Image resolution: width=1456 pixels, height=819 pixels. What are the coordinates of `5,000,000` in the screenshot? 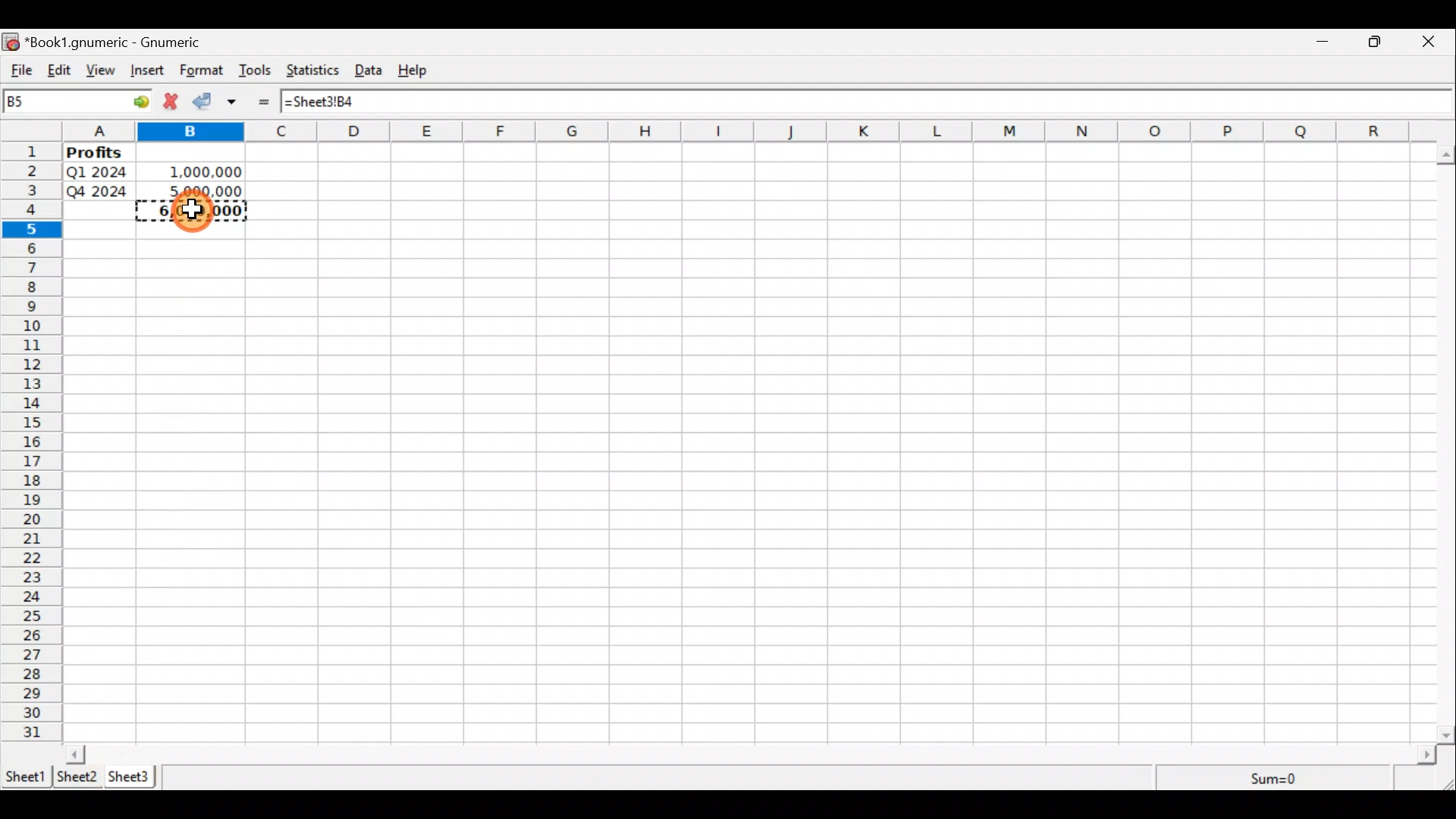 It's located at (199, 190).